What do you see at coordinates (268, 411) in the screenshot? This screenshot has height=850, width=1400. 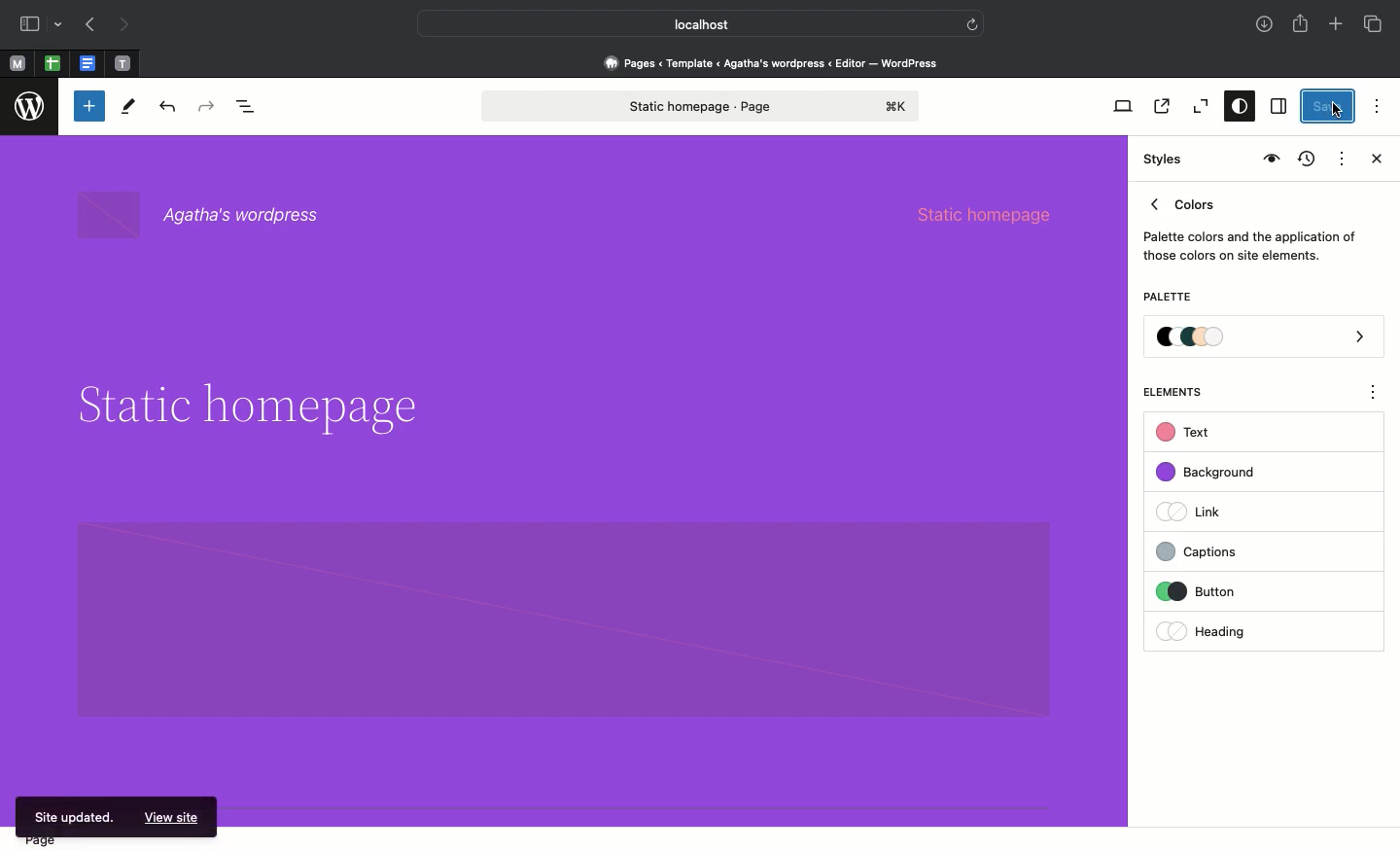 I see `headline` at bounding box center [268, 411].